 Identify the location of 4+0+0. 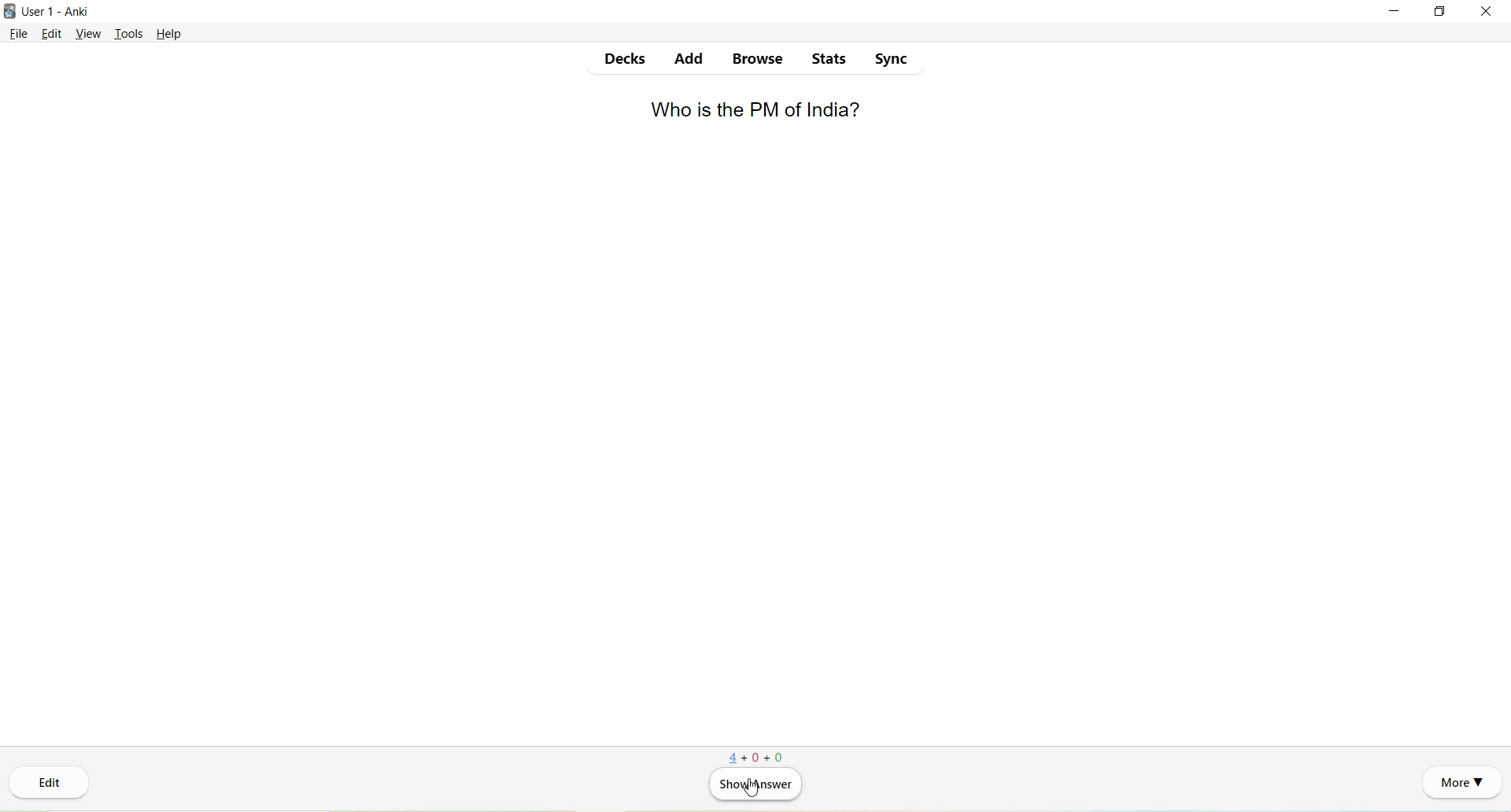
(755, 758).